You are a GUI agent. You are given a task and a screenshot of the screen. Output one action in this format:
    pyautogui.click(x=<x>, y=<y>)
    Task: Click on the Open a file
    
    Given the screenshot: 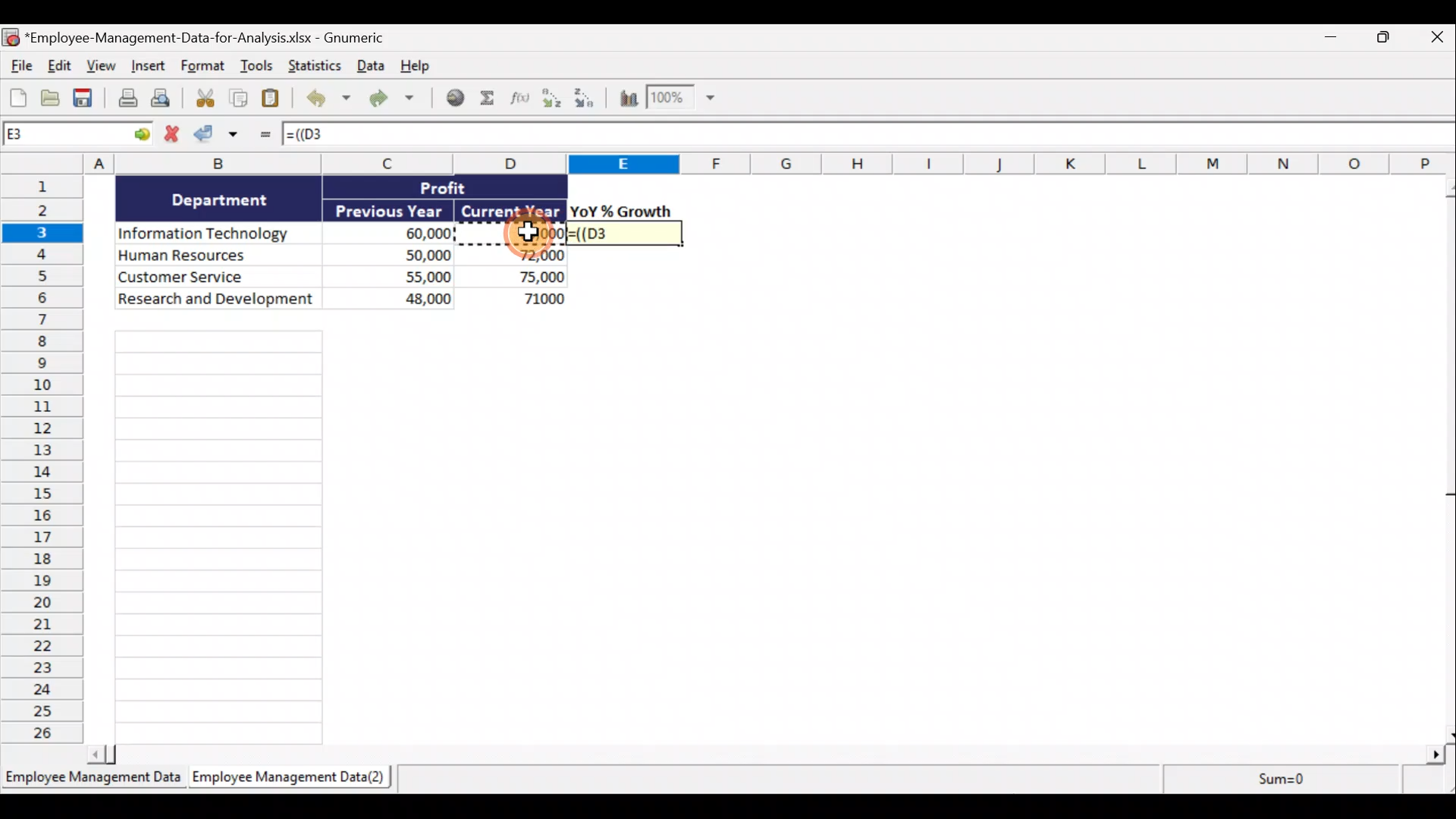 What is the action you would take?
    pyautogui.click(x=52, y=98)
    